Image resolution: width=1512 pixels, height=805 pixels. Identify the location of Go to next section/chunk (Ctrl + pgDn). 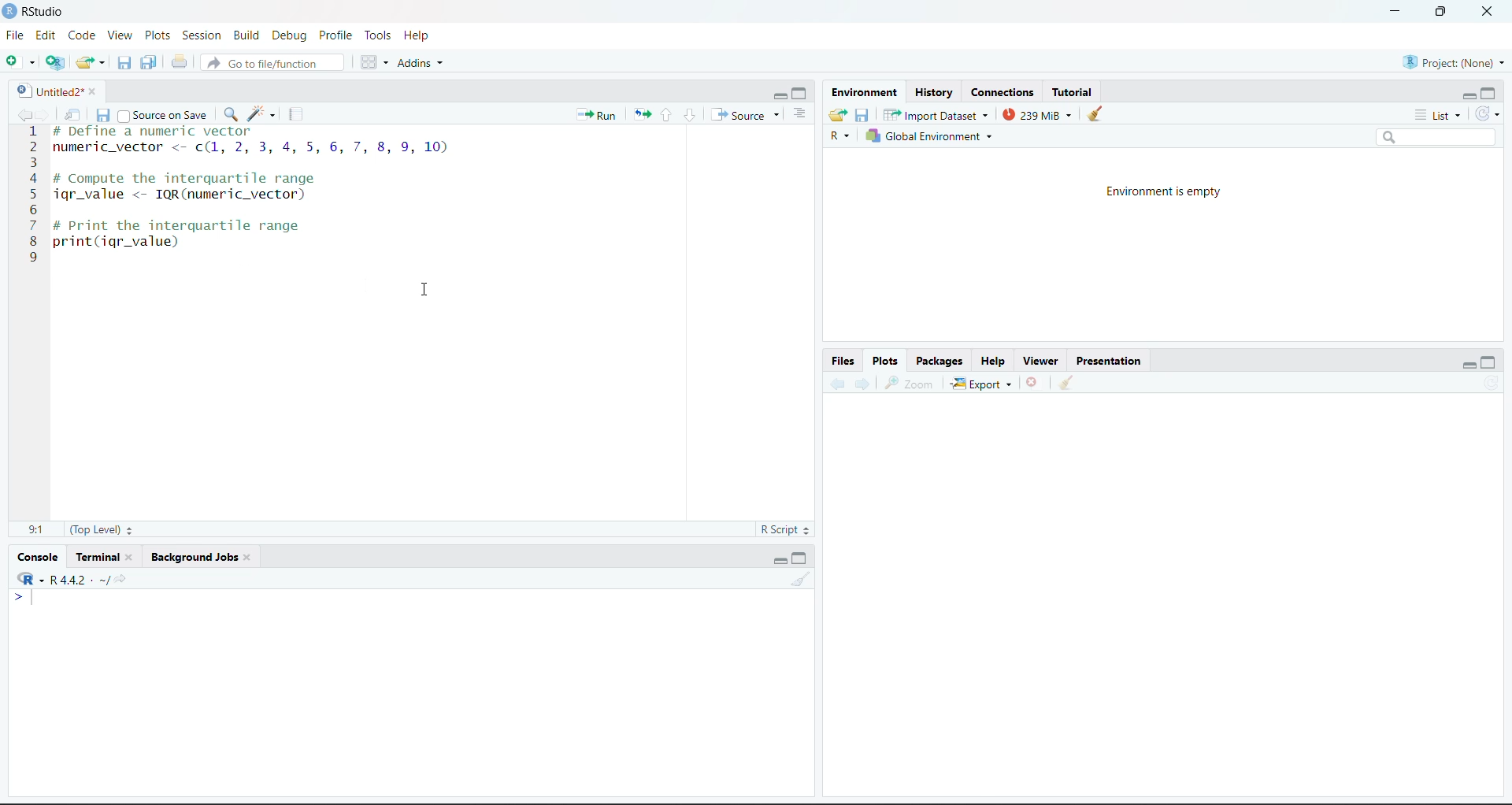
(689, 115).